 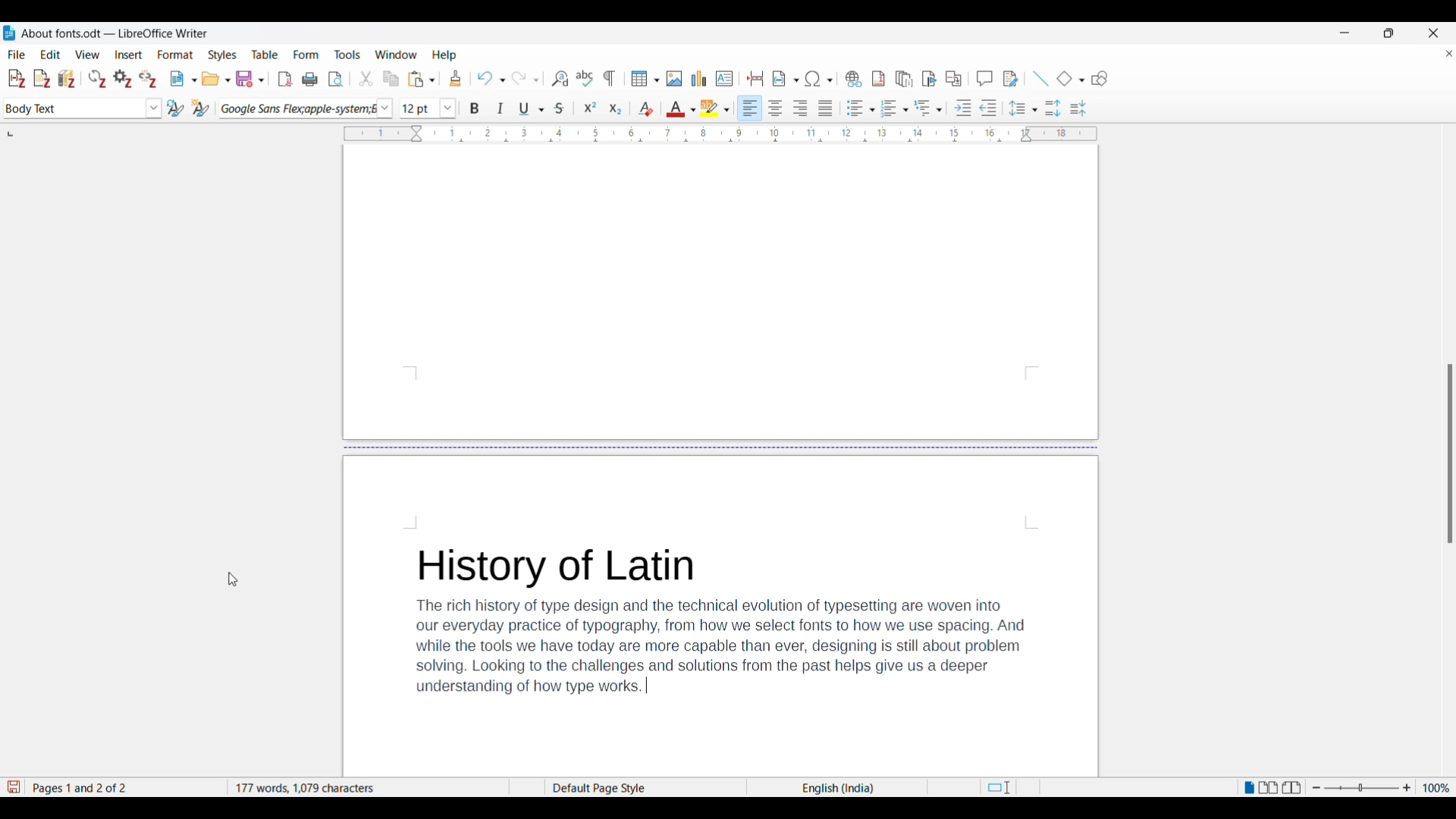 I want to click on Add note, so click(x=42, y=79).